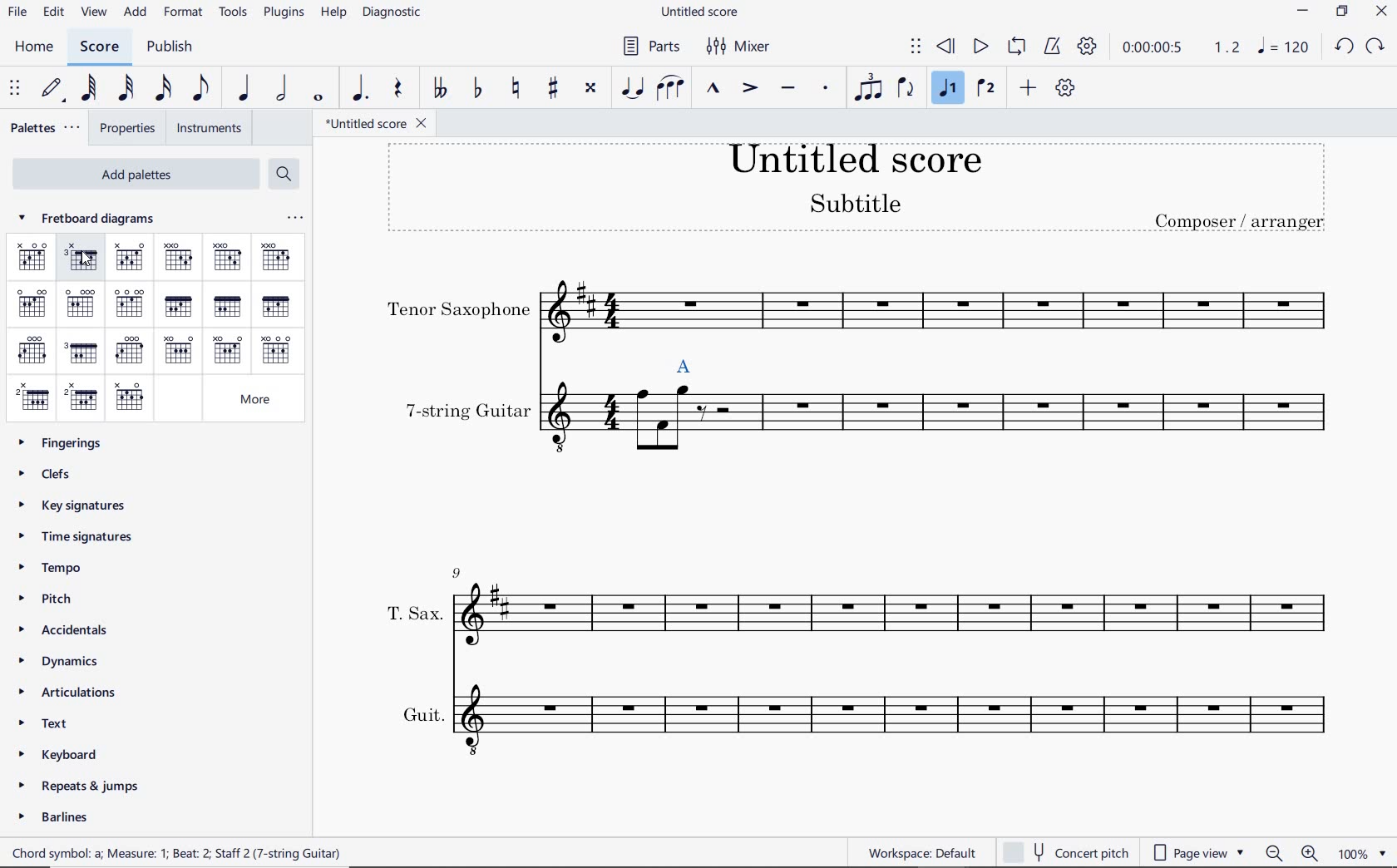  Describe the element at coordinates (921, 853) in the screenshot. I see `workspace default` at that location.